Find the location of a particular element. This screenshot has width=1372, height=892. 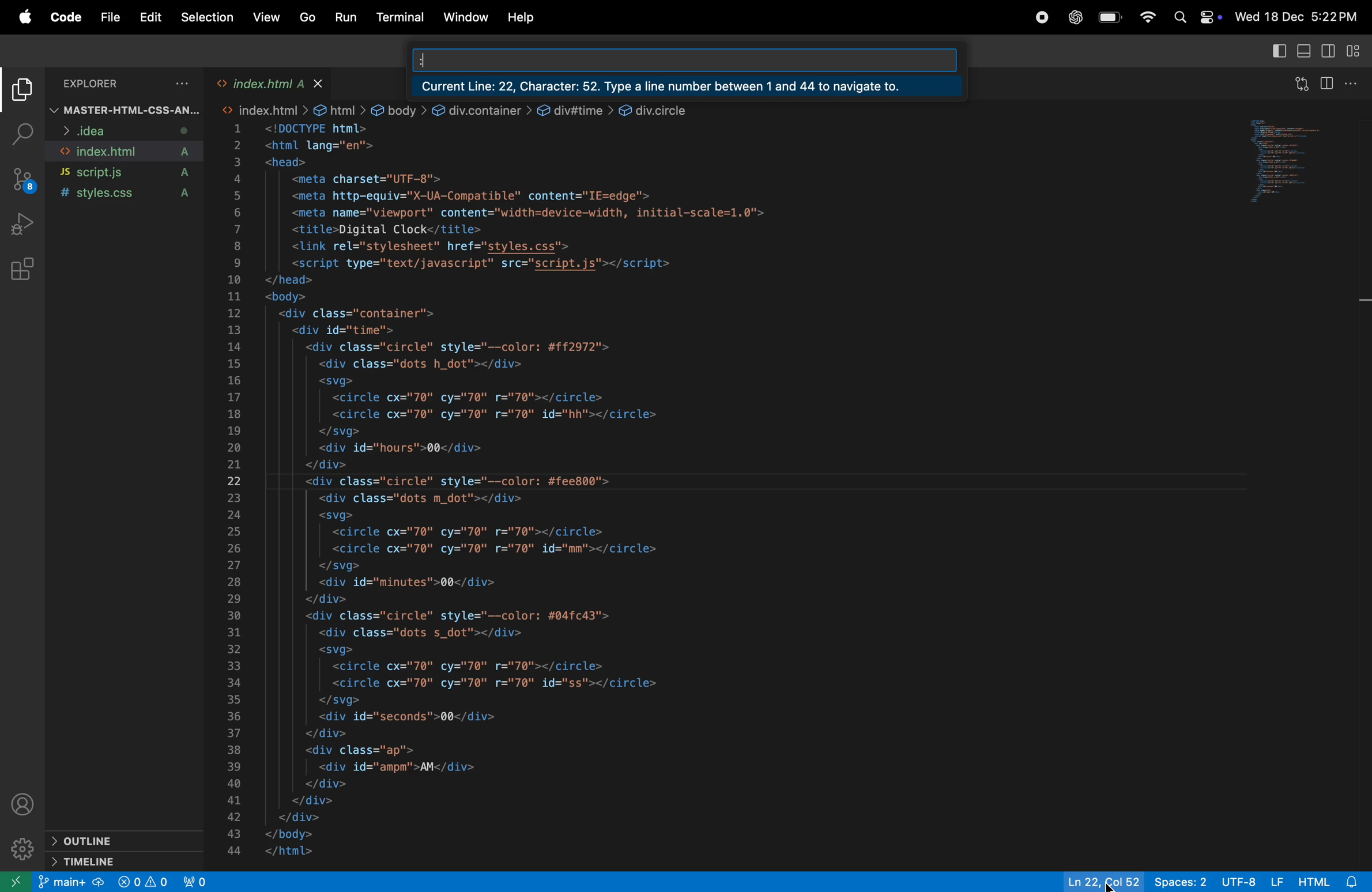

link is located at coordinates (263, 107).